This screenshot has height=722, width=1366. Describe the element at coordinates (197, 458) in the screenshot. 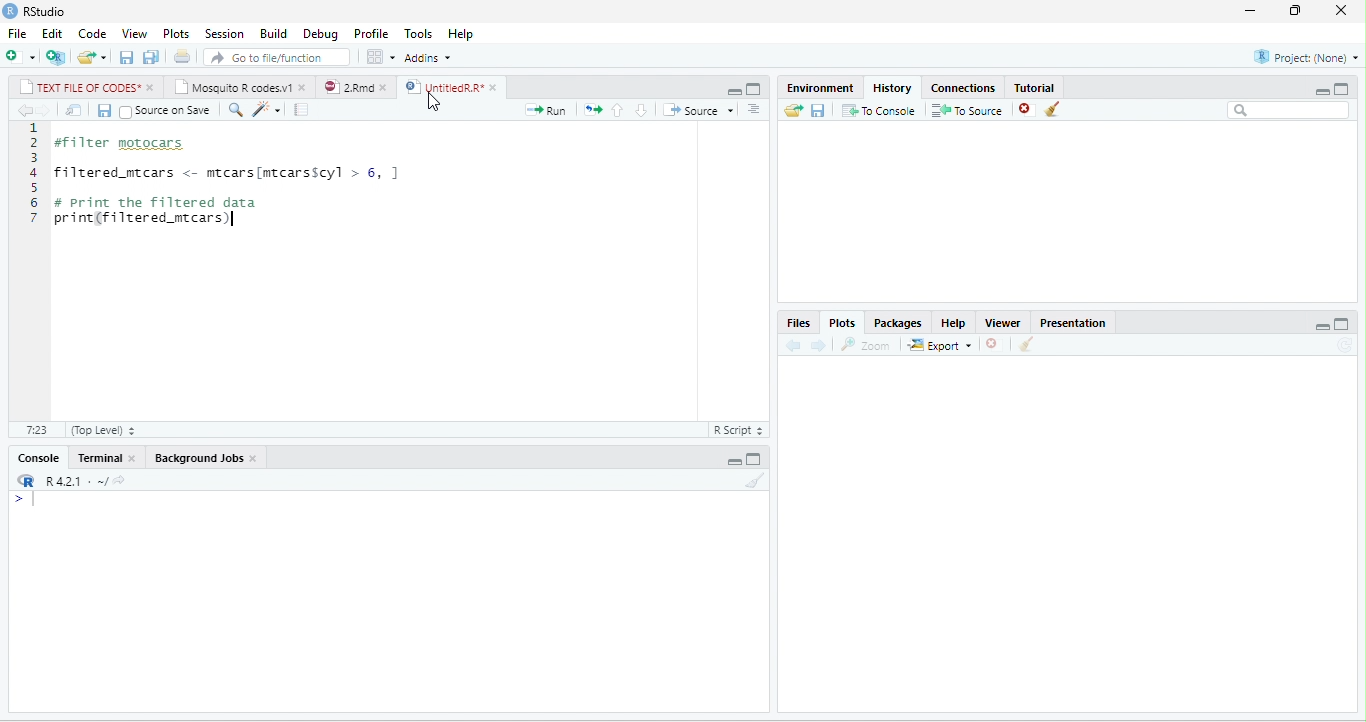

I see `Background Jobs` at that location.